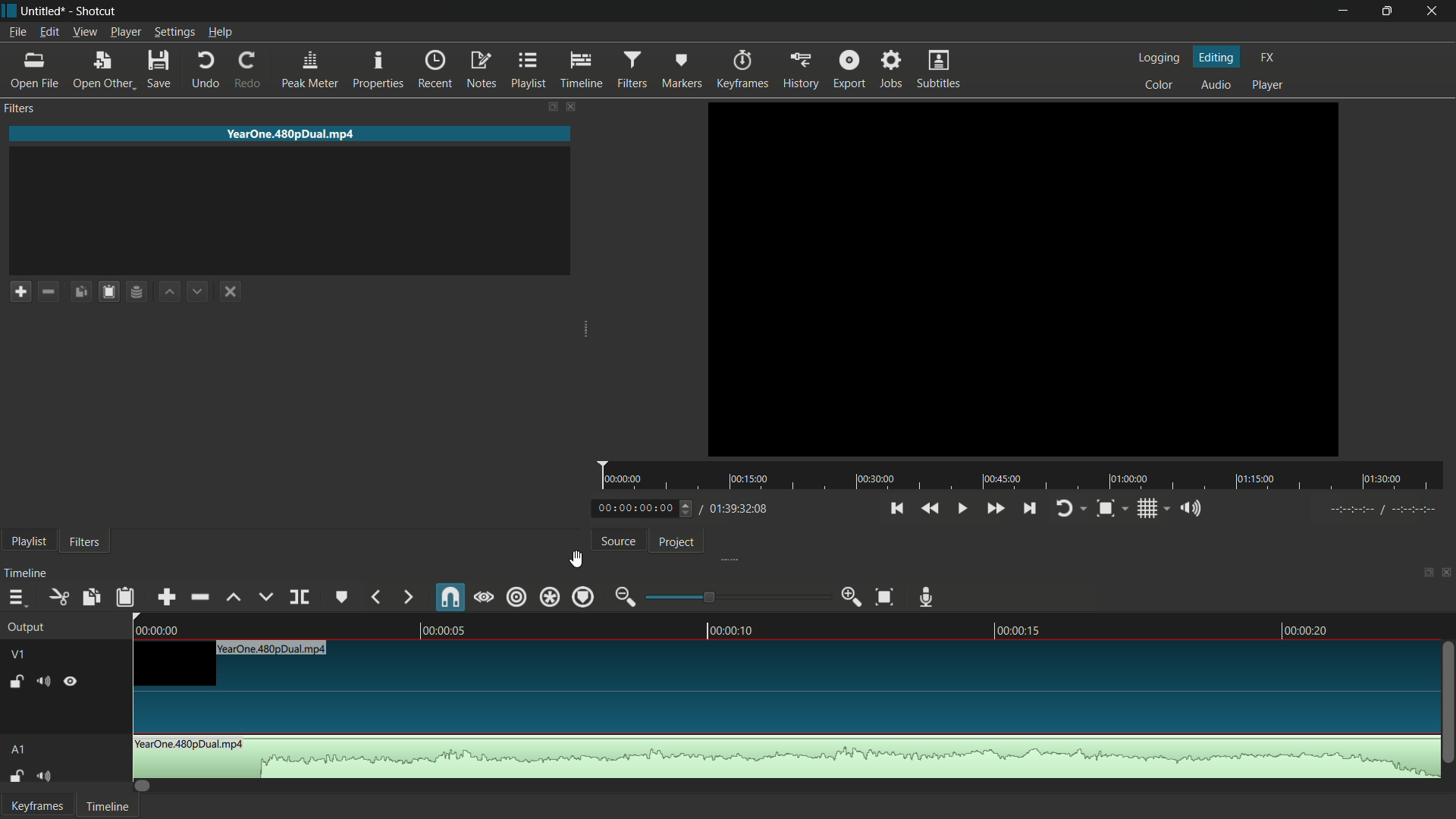  I want to click on 00:00:00, so click(625, 479).